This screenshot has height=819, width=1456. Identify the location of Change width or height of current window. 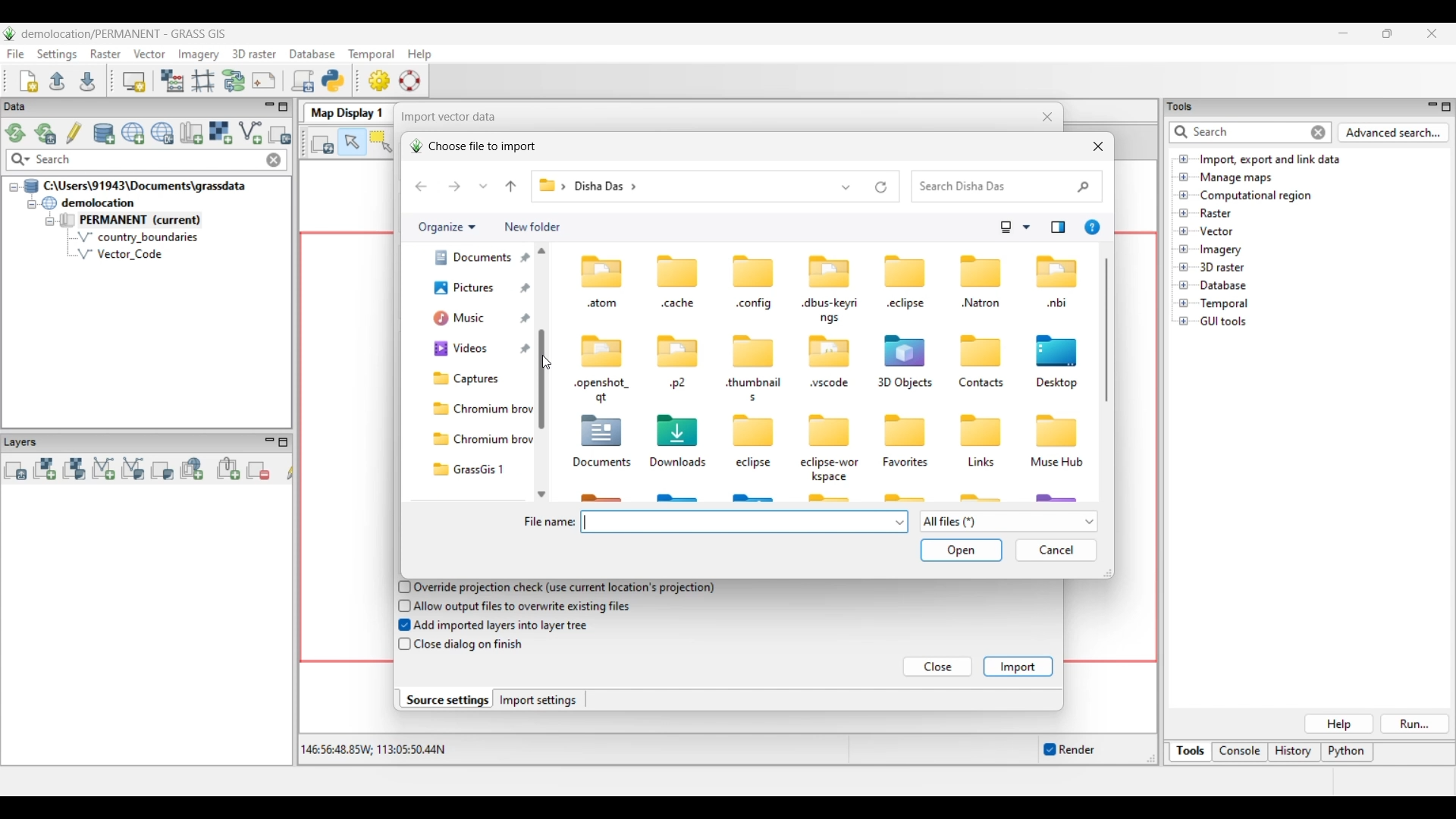
(1106, 573).